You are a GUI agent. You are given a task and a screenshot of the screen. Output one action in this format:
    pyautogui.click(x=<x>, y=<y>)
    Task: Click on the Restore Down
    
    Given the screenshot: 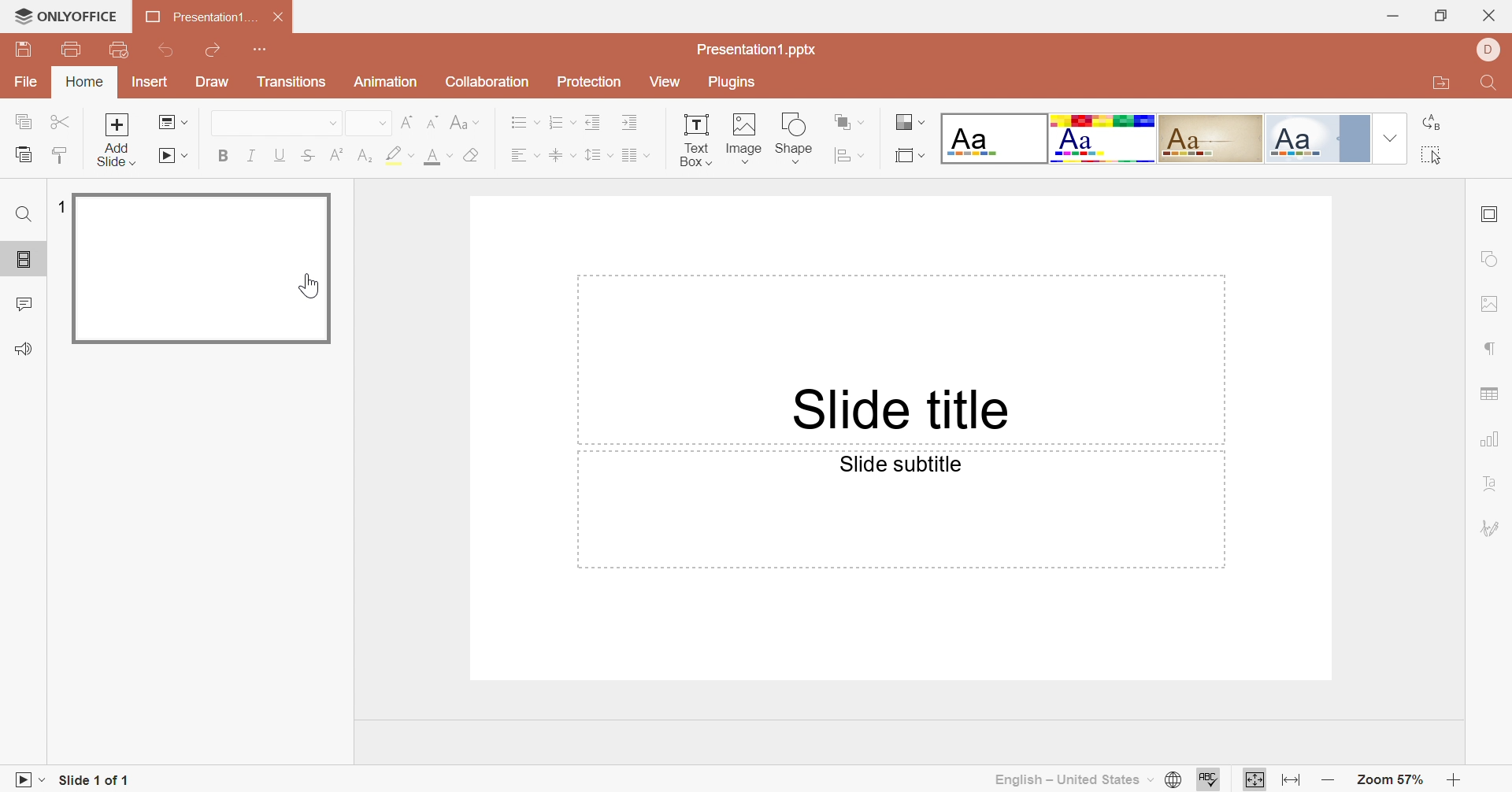 What is the action you would take?
    pyautogui.click(x=1444, y=15)
    